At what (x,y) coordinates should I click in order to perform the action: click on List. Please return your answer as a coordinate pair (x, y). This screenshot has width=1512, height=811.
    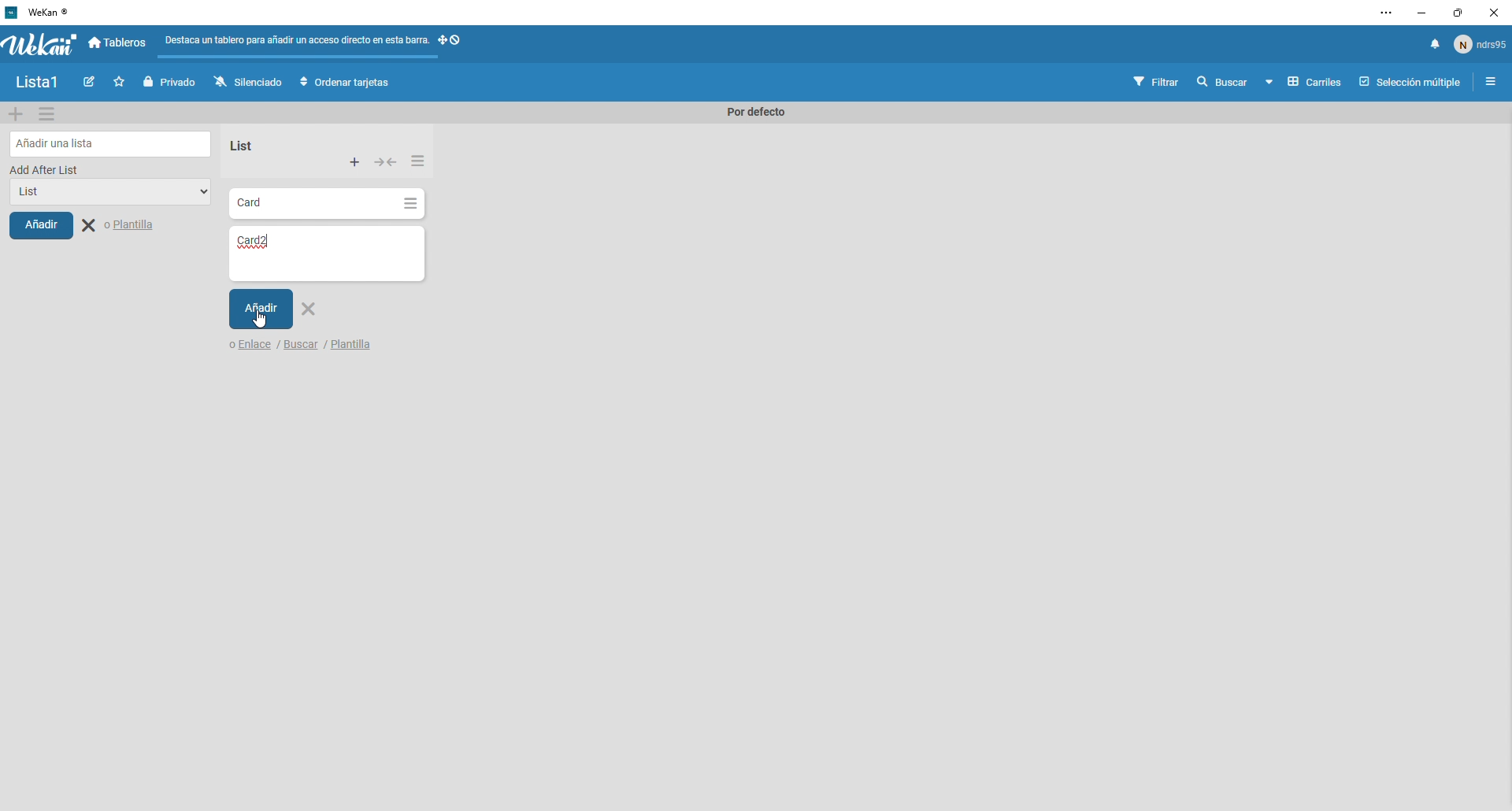
    Looking at the image, I should click on (104, 194).